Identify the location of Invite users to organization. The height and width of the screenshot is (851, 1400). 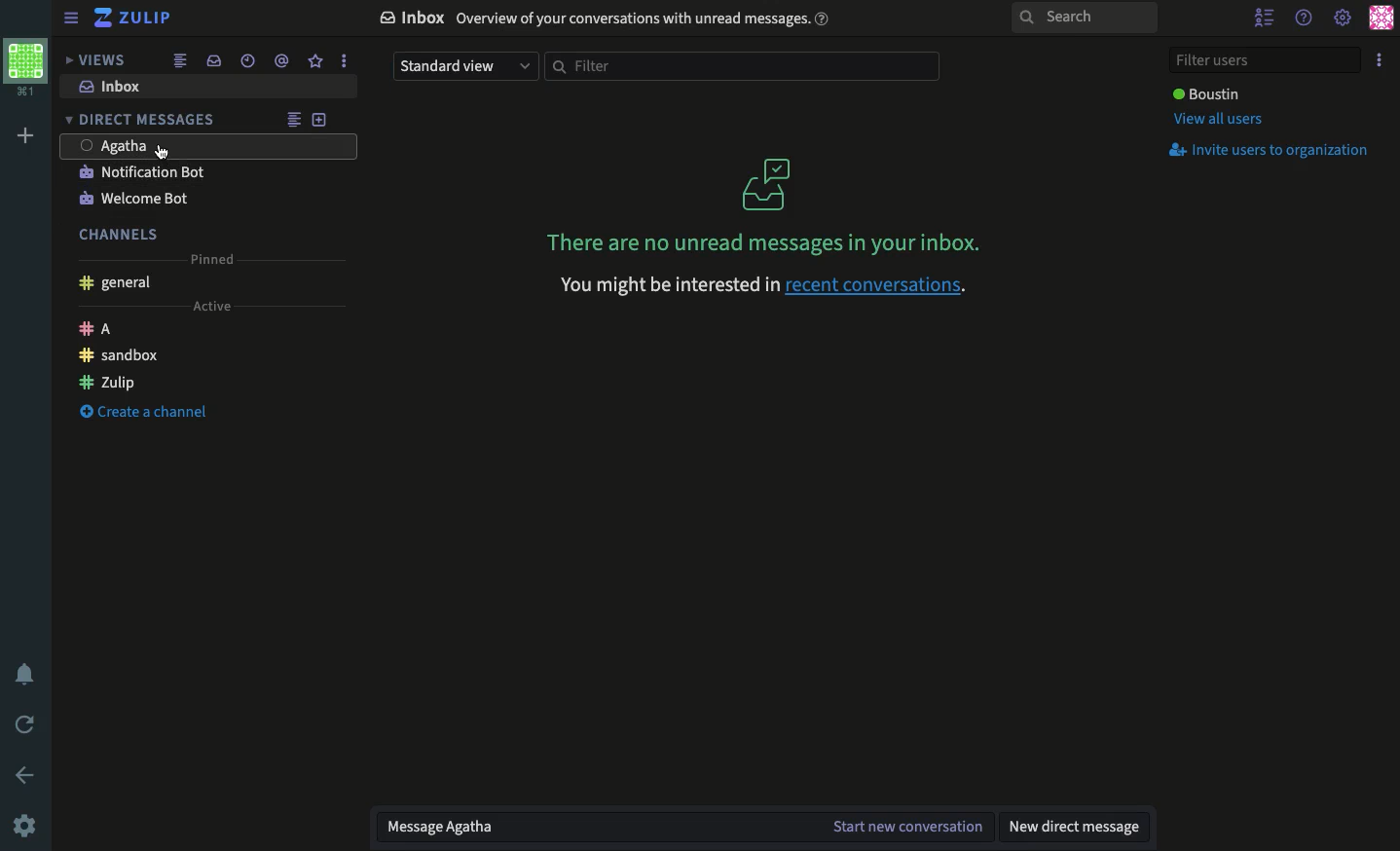
(1274, 150).